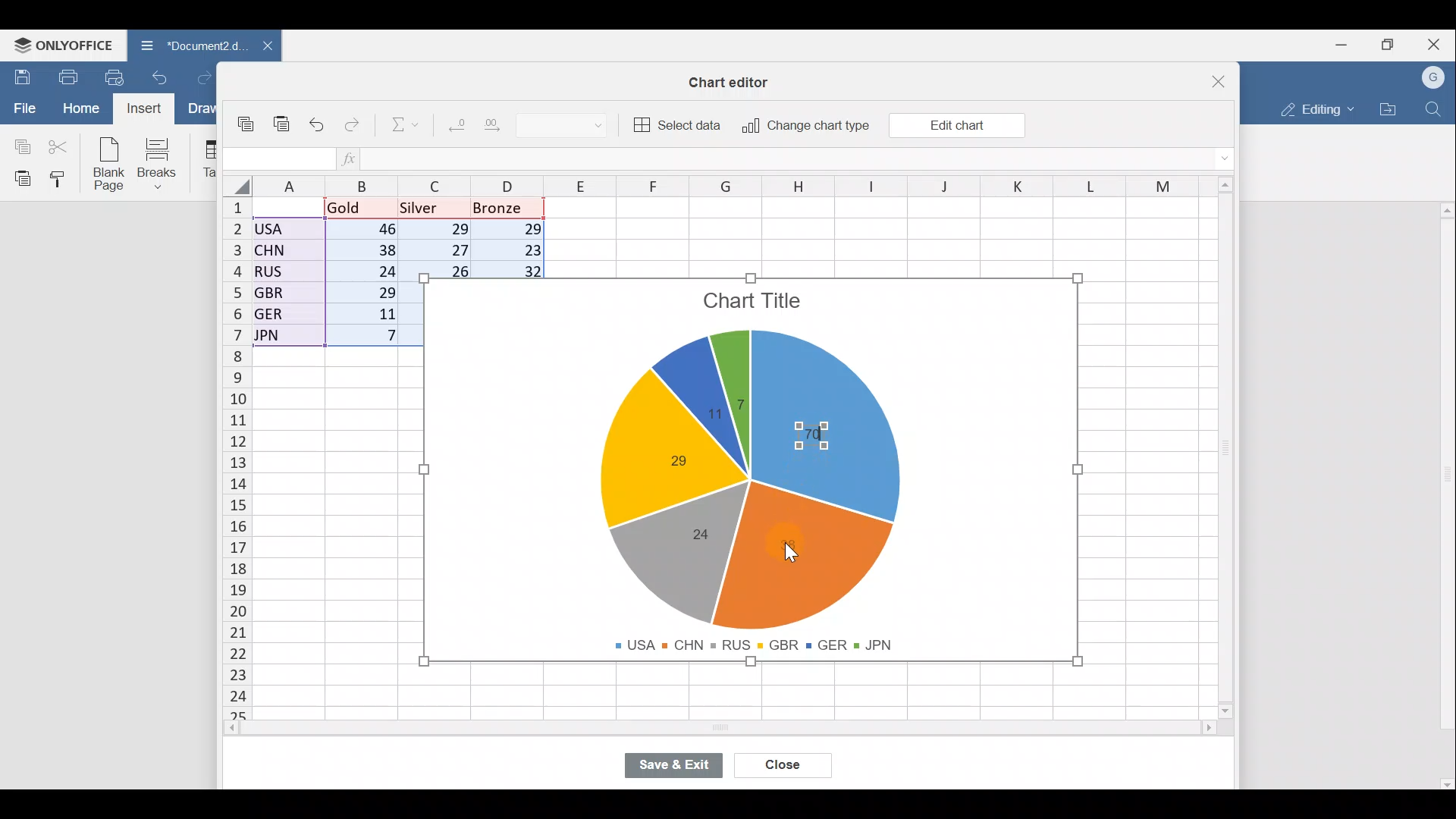 Image resolution: width=1456 pixels, height=819 pixels. Describe the element at coordinates (19, 77) in the screenshot. I see `Save` at that location.